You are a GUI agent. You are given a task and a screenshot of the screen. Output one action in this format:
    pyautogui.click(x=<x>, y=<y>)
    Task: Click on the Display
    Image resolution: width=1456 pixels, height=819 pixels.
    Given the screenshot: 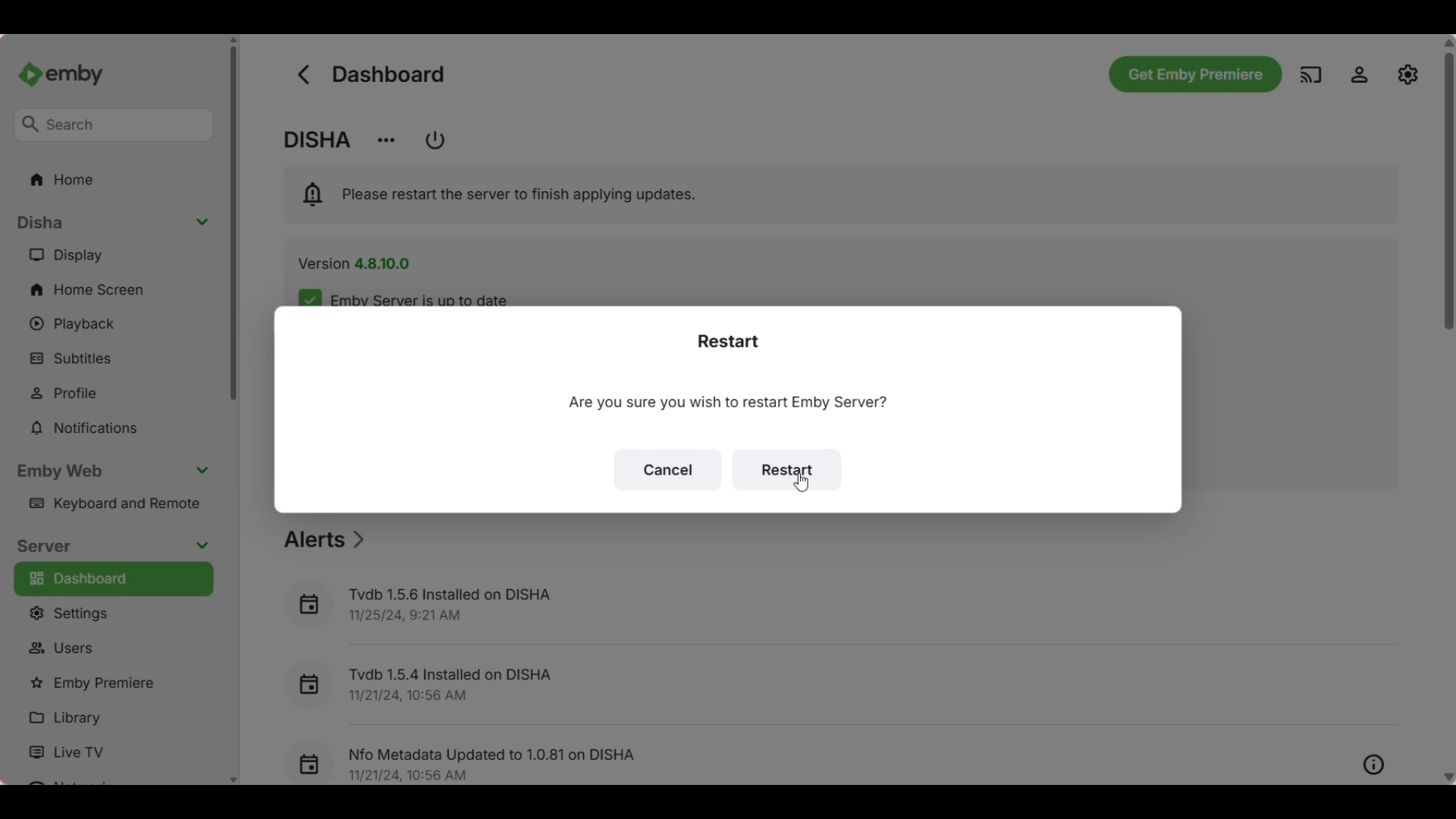 What is the action you would take?
    pyautogui.click(x=113, y=254)
    